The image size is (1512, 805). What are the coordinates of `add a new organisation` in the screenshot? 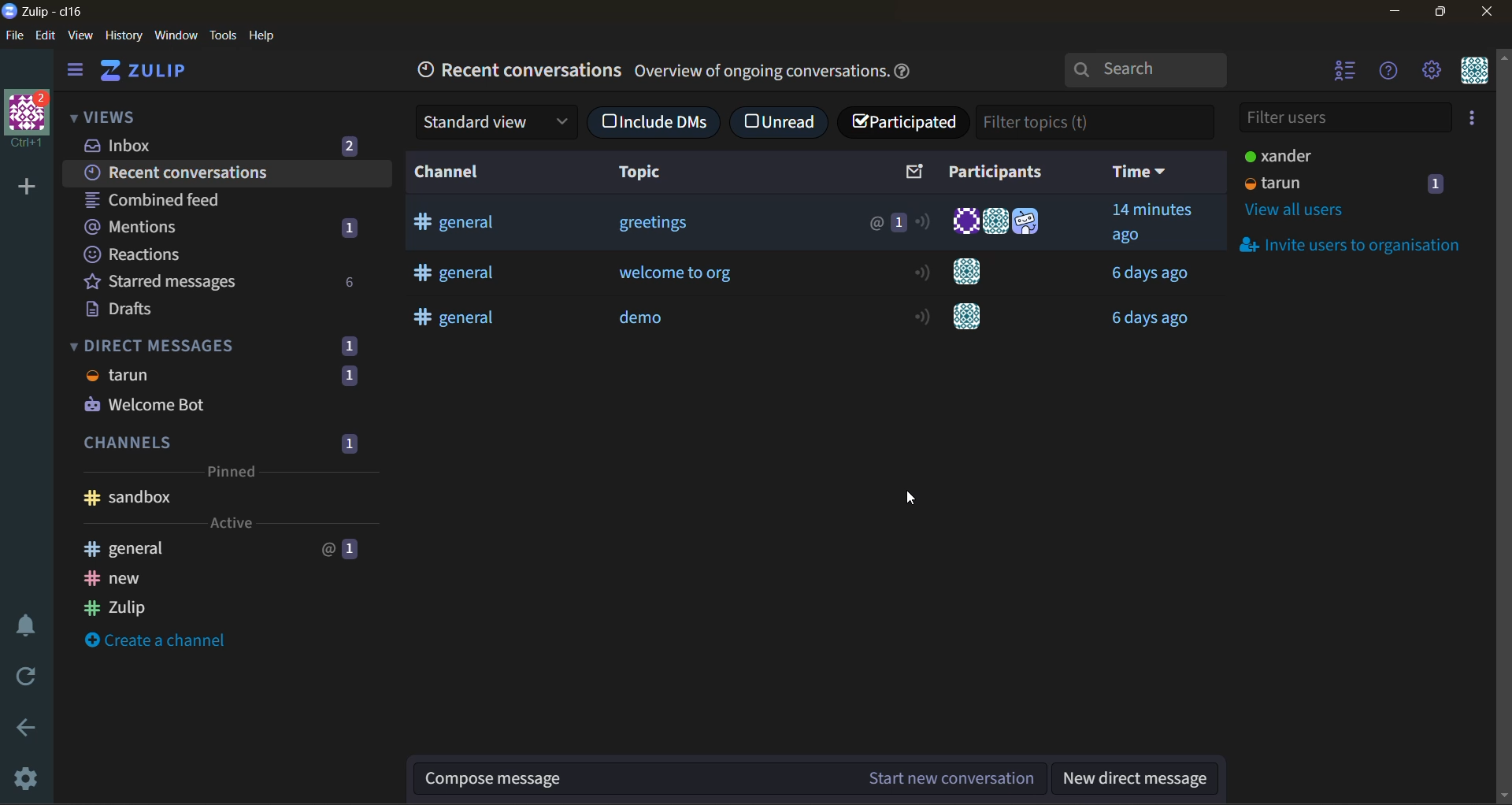 It's located at (27, 189).